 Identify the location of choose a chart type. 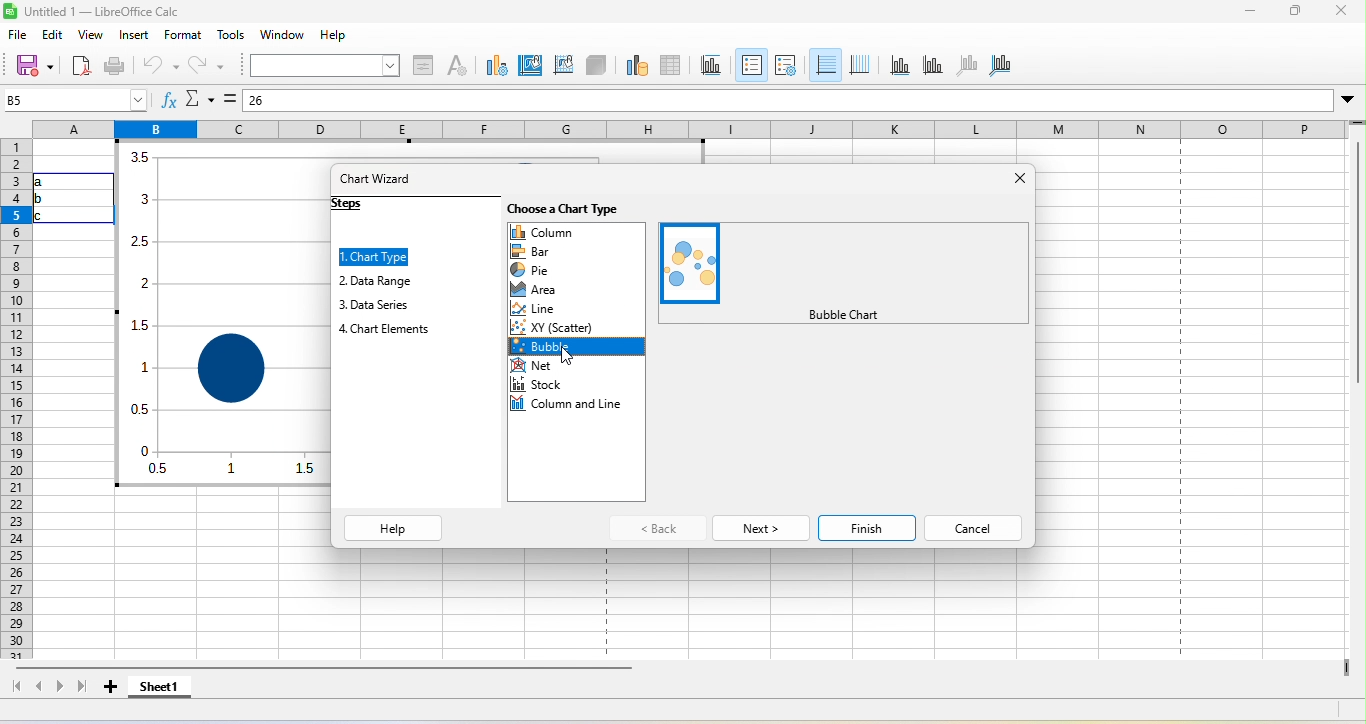
(570, 208).